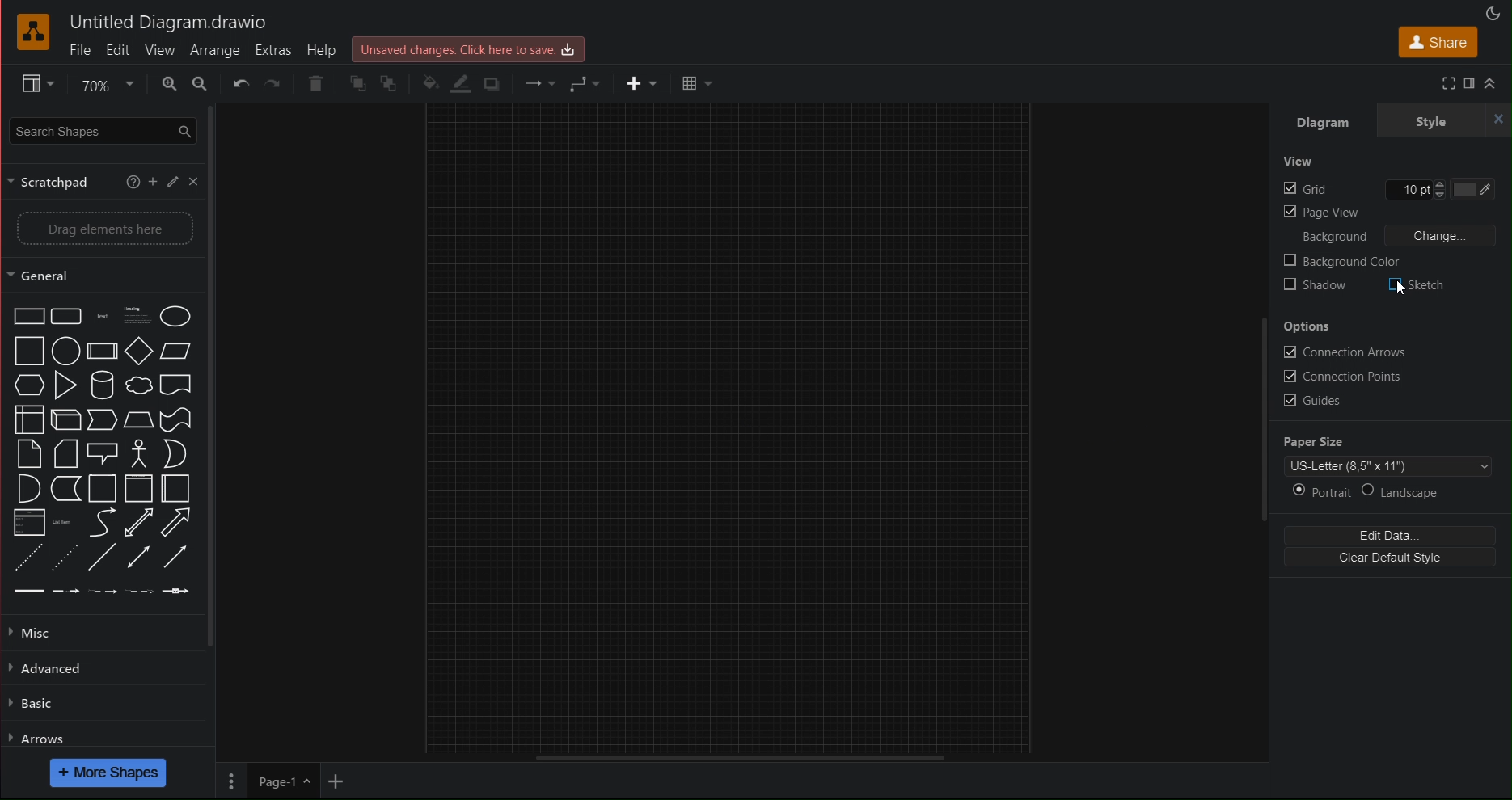  What do you see at coordinates (174, 488) in the screenshot?
I see `horizontal container` at bounding box center [174, 488].